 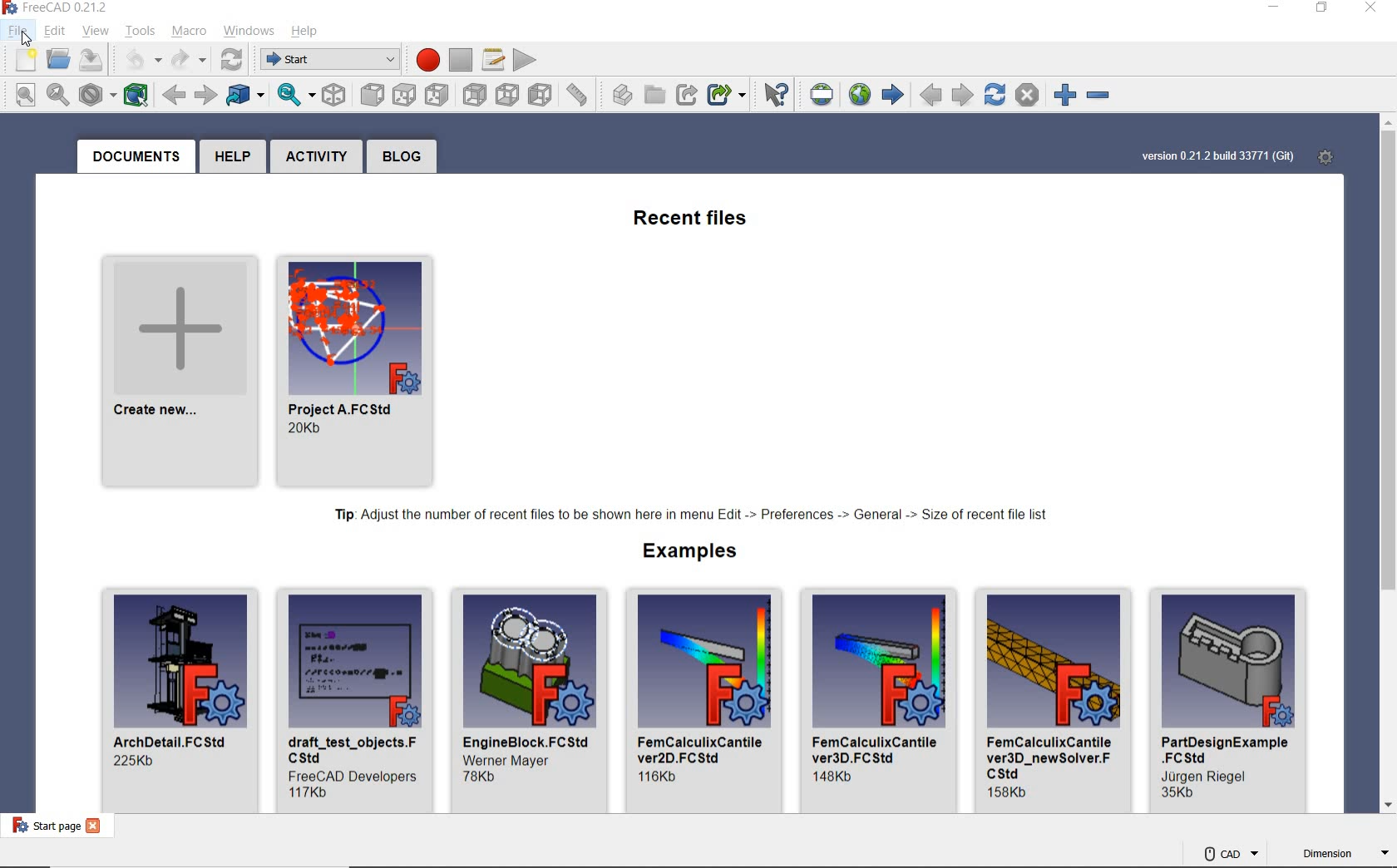 What do you see at coordinates (619, 94) in the screenshot?
I see `CREATE PART` at bounding box center [619, 94].